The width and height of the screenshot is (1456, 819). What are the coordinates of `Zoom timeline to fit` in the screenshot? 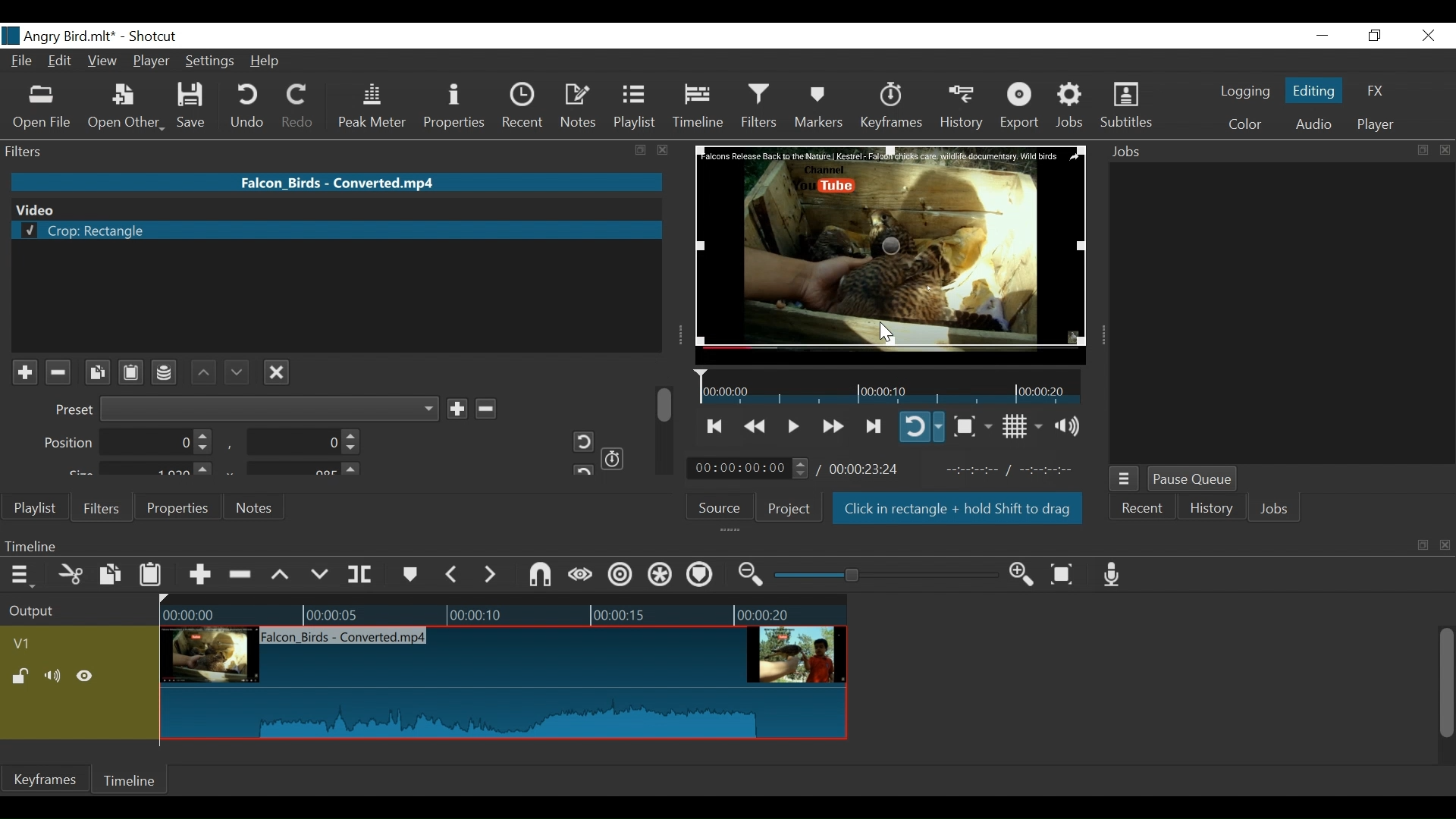 It's located at (1068, 573).